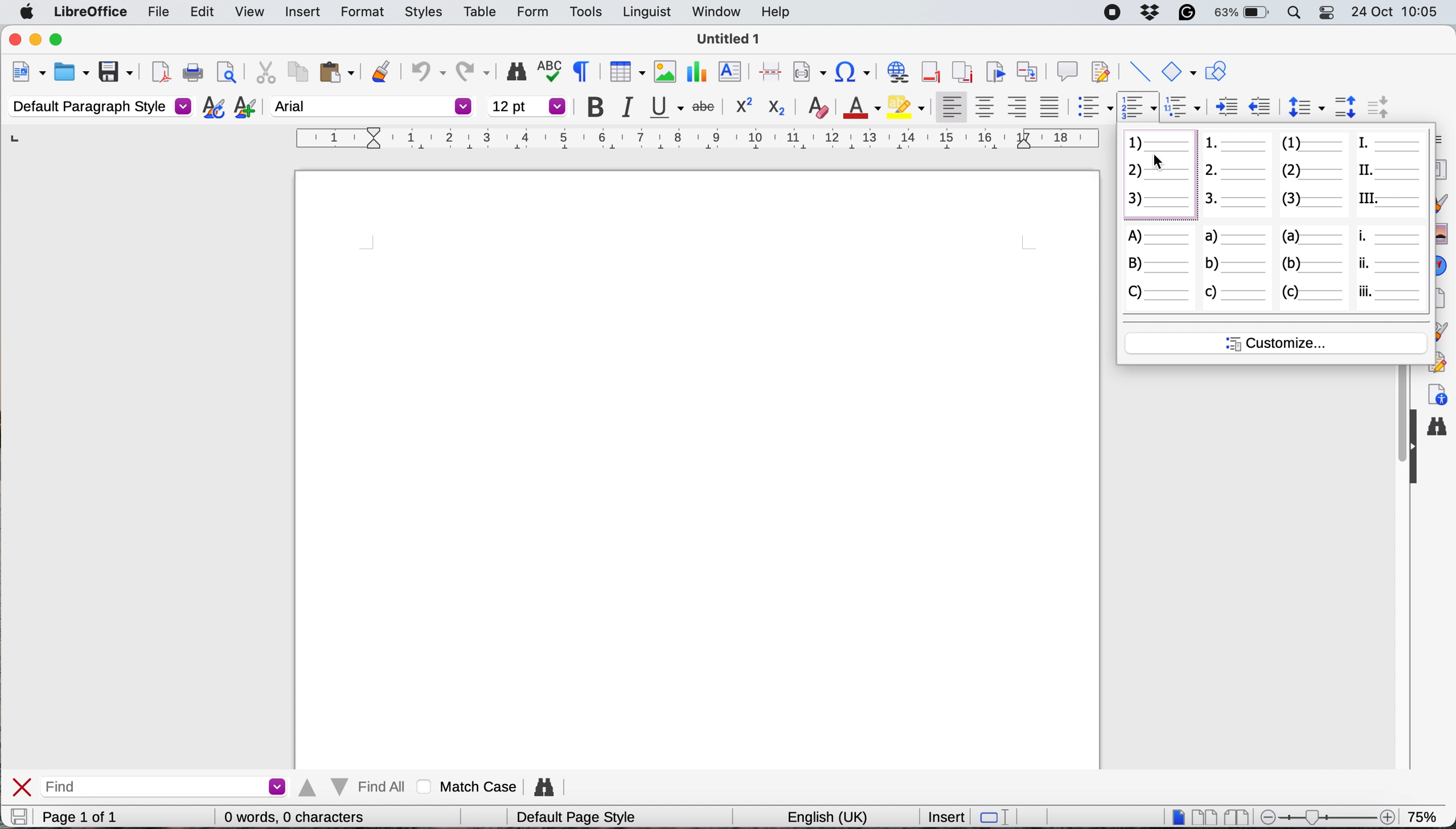  I want to click on cut, so click(265, 72).